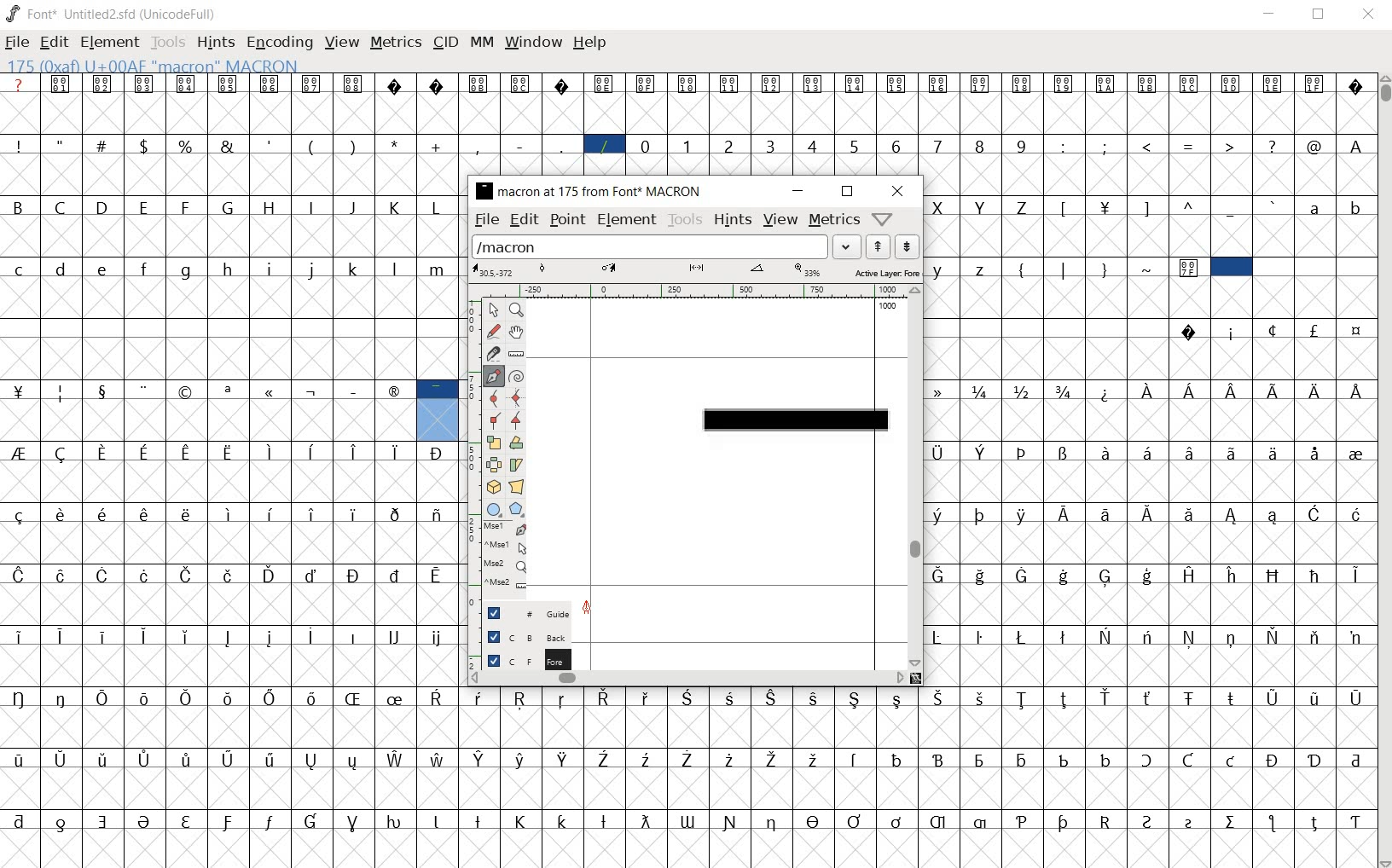  What do you see at coordinates (393, 638) in the screenshot?
I see `Symbol` at bounding box center [393, 638].